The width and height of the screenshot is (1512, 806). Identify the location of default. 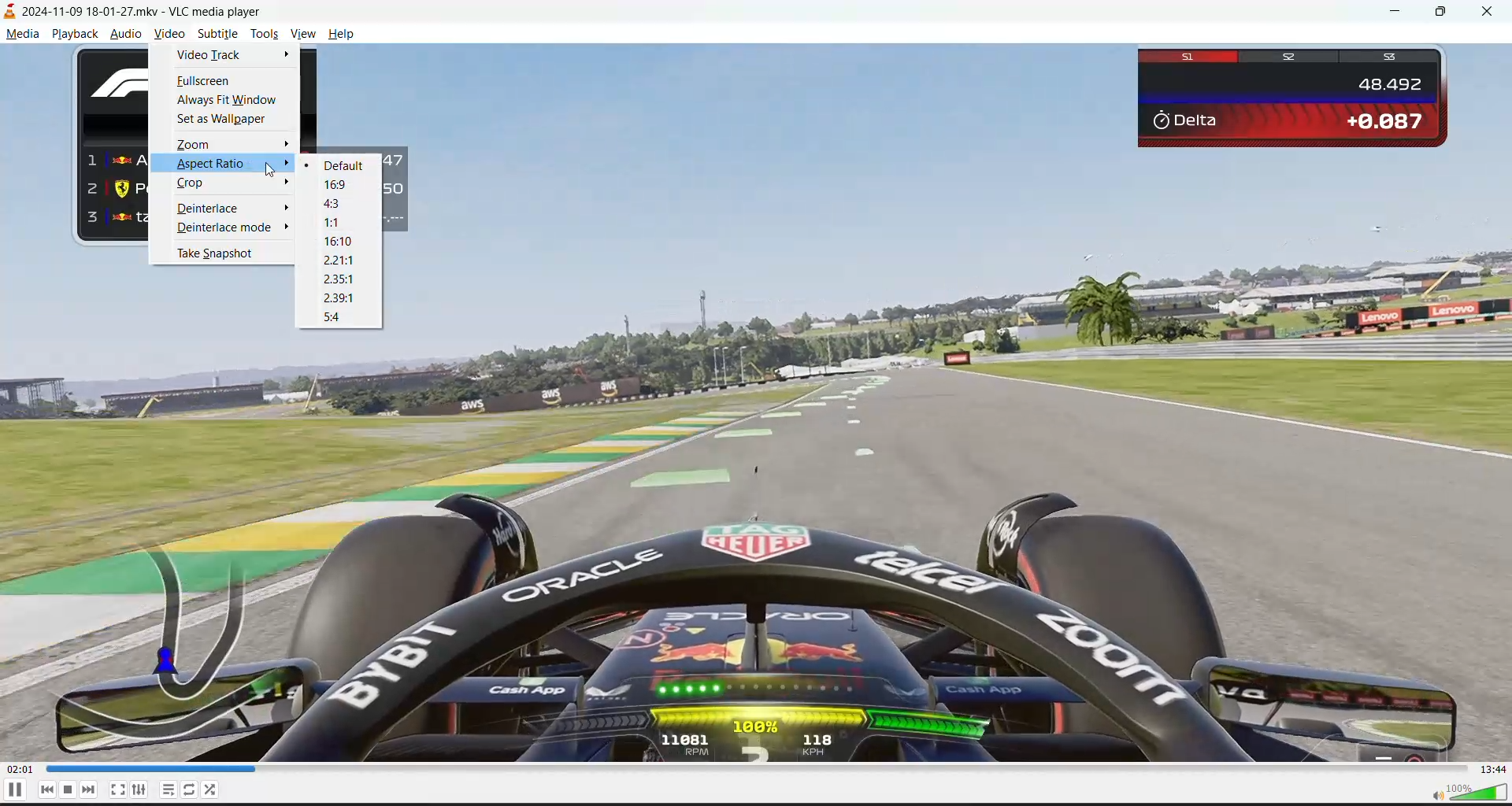
(343, 165).